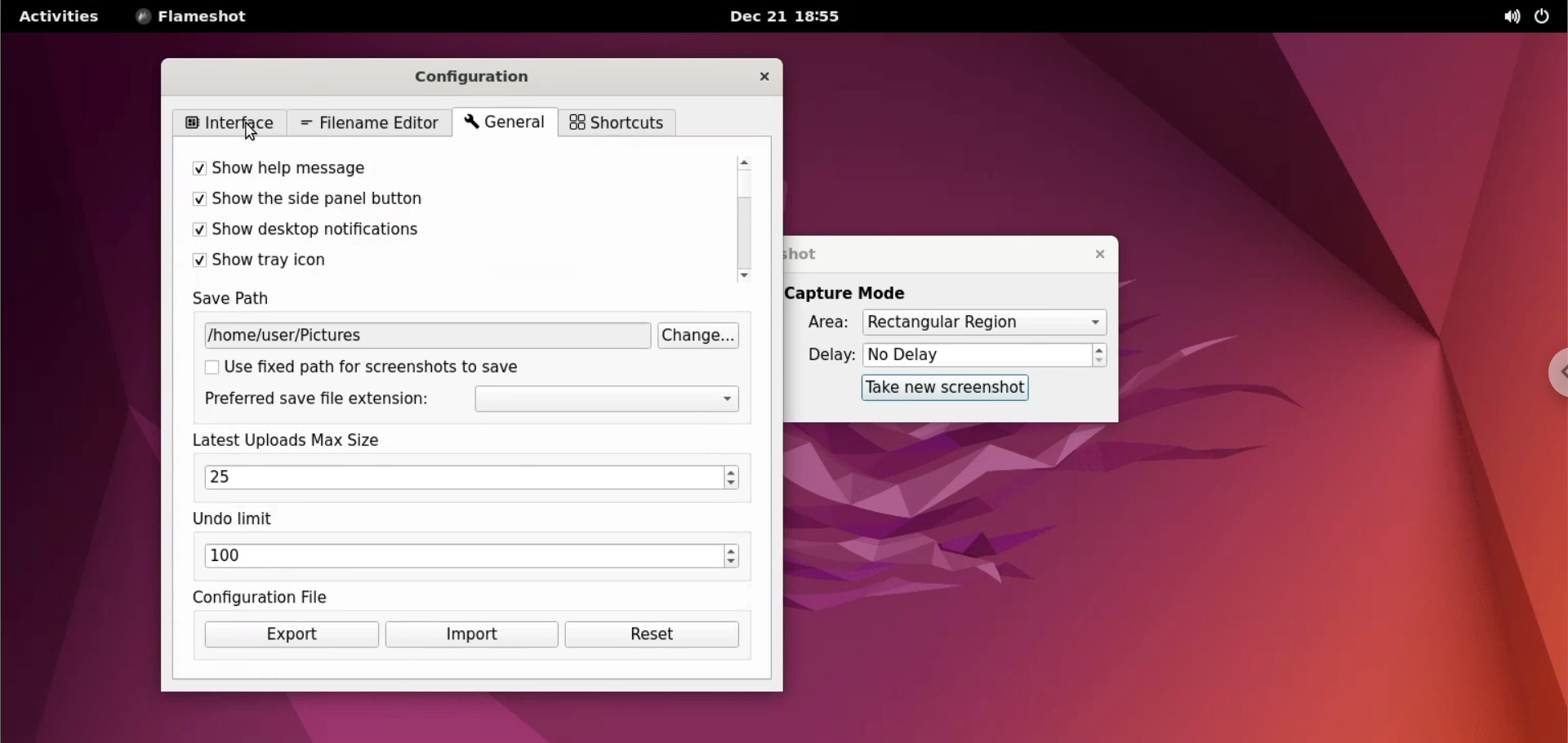 This screenshot has width=1568, height=743. What do you see at coordinates (612, 400) in the screenshot?
I see `extension options dropdown` at bounding box center [612, 400].